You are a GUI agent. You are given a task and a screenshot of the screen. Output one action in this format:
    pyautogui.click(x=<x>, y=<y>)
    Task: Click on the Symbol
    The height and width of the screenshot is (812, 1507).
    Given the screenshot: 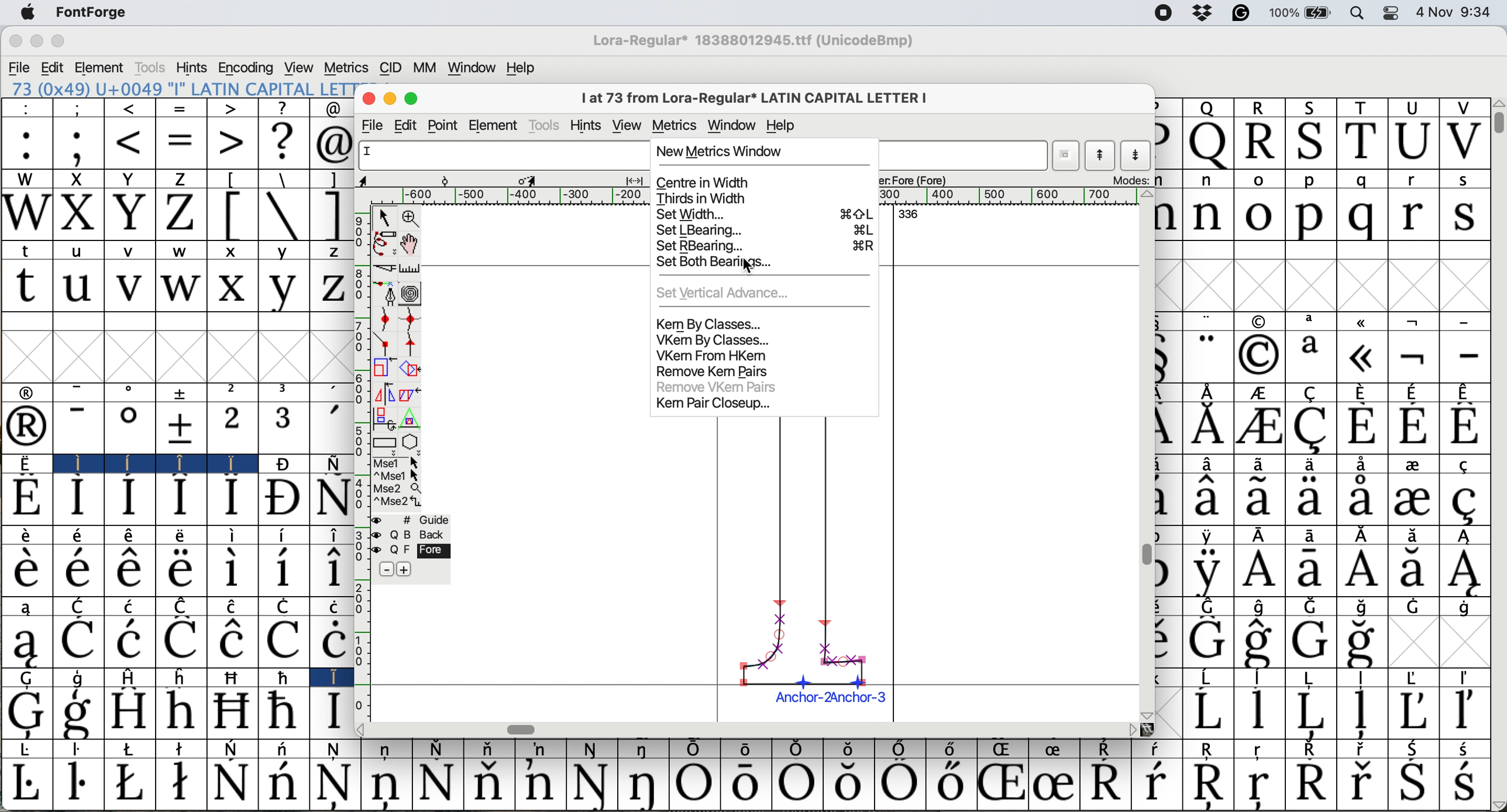 What is the action you would take?
    pyautogui.click(x=1413, y=784)
    